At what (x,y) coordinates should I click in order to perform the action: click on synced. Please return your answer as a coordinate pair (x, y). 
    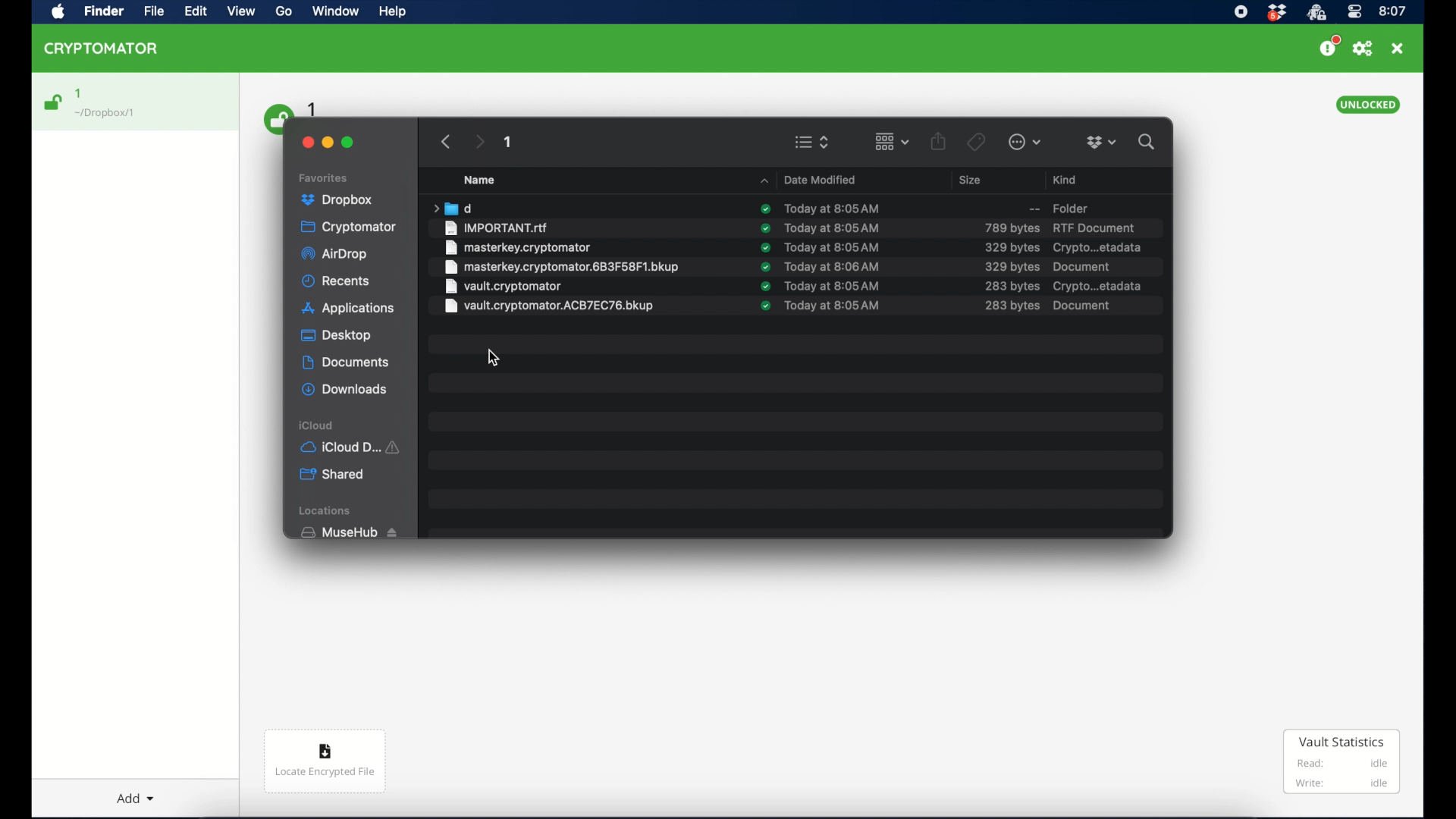
    Looking at the image, I should click on (764, 306).